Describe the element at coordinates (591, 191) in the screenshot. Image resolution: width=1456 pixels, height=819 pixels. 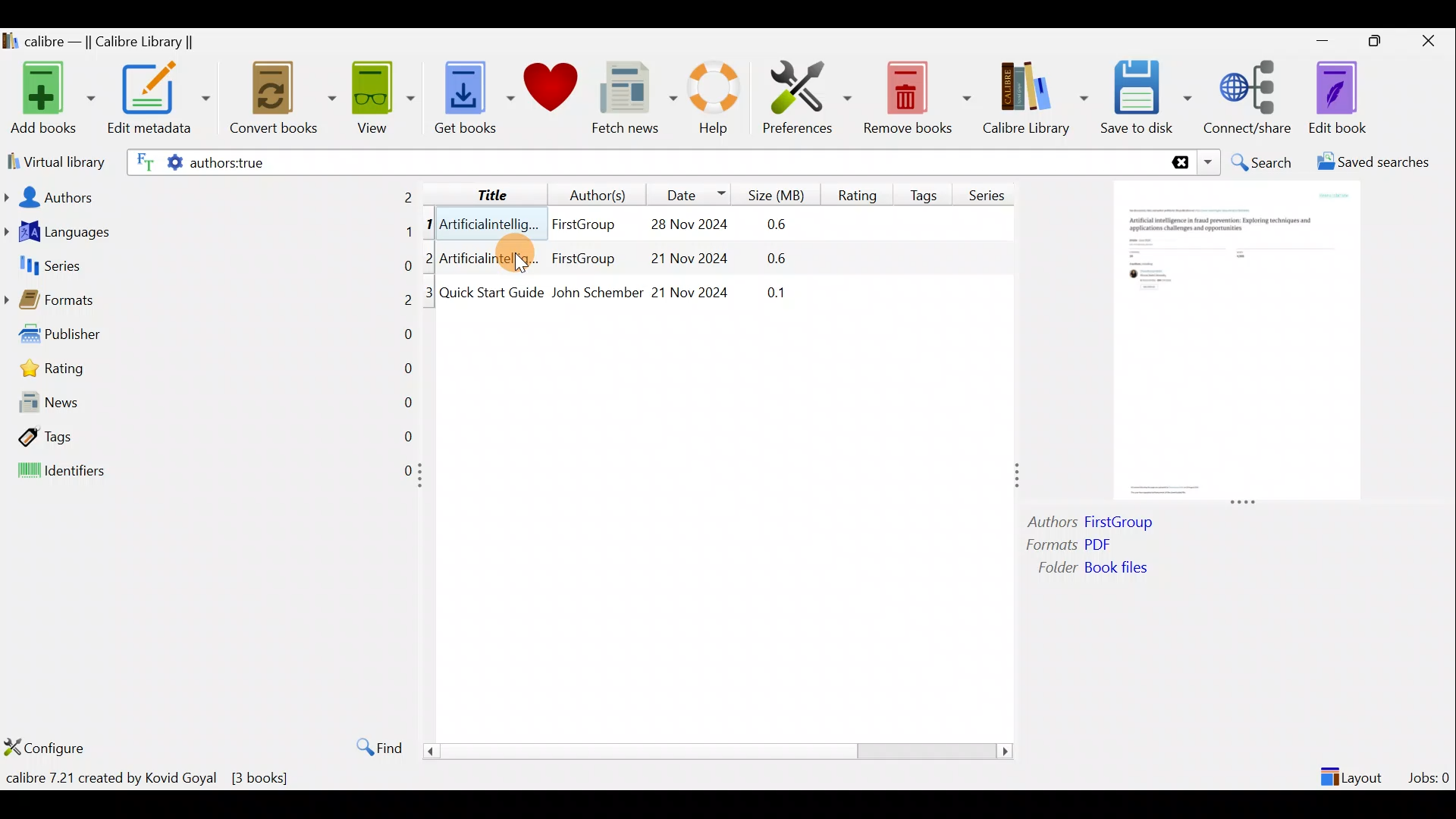
I see `Author(s)` at that location.